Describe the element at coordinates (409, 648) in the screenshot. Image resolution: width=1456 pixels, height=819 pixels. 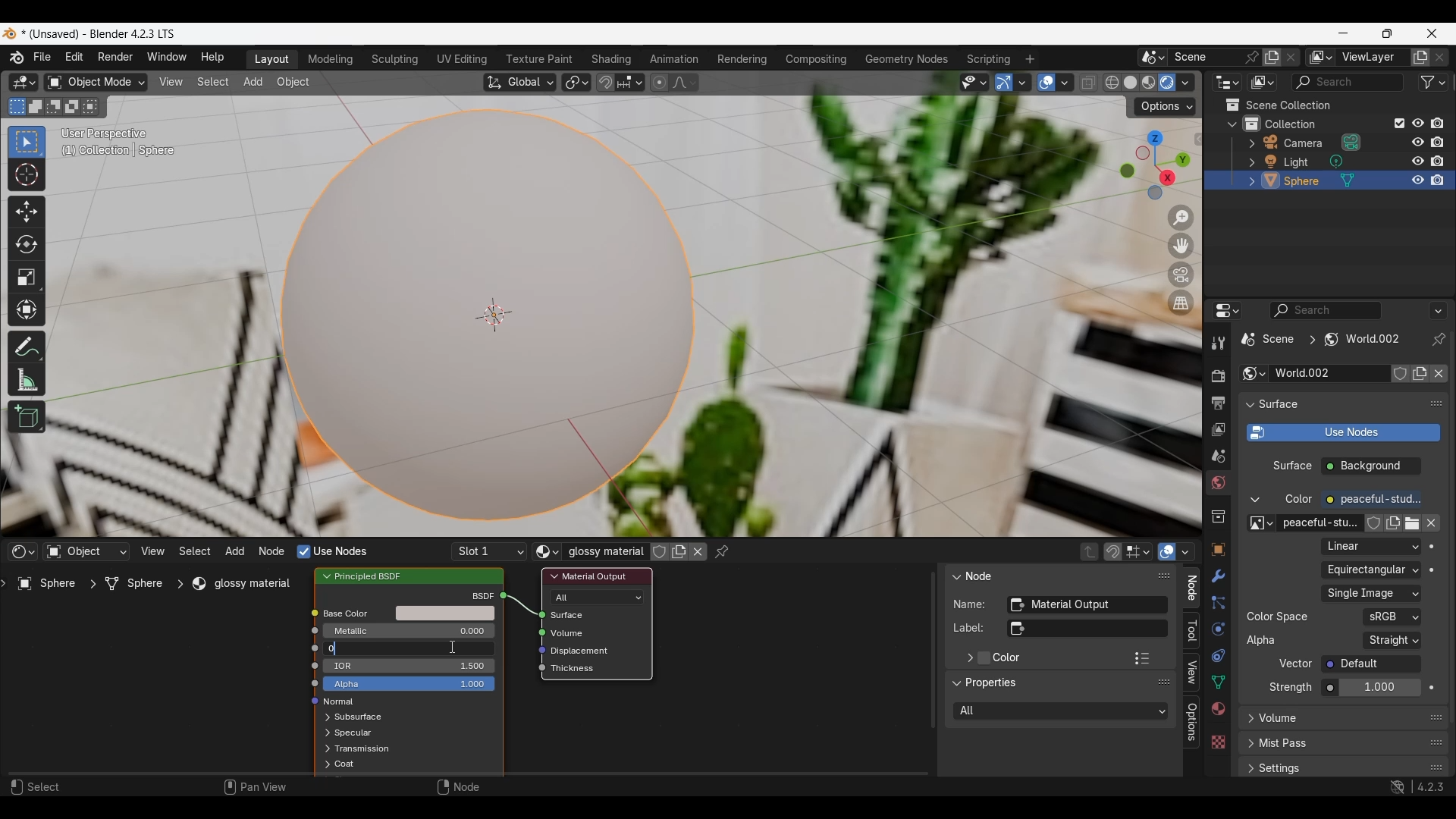
I see `Amount of roughness in base` at that location.